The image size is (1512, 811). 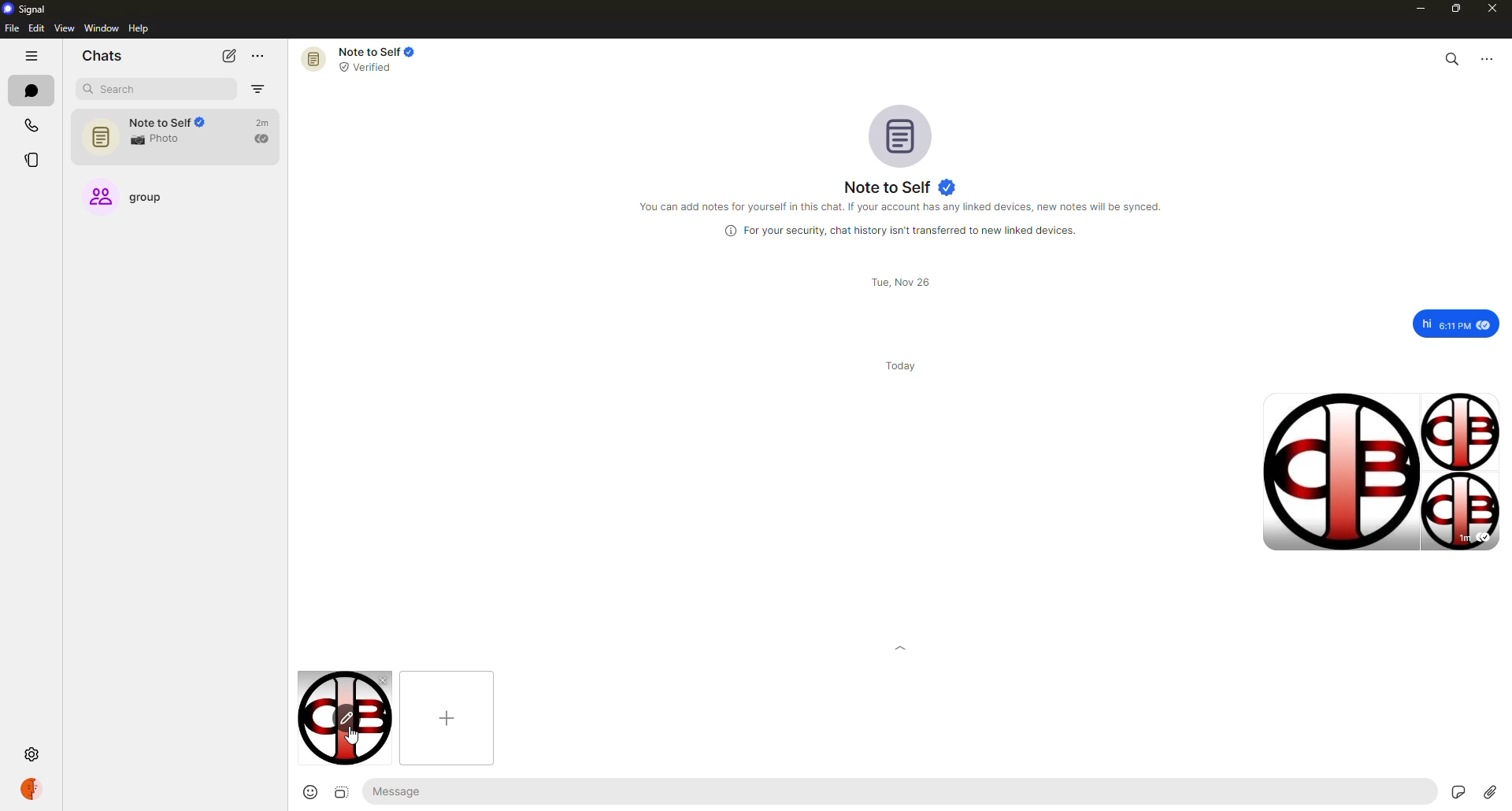 I want to click on minimize, so click(x=1414, y=8).